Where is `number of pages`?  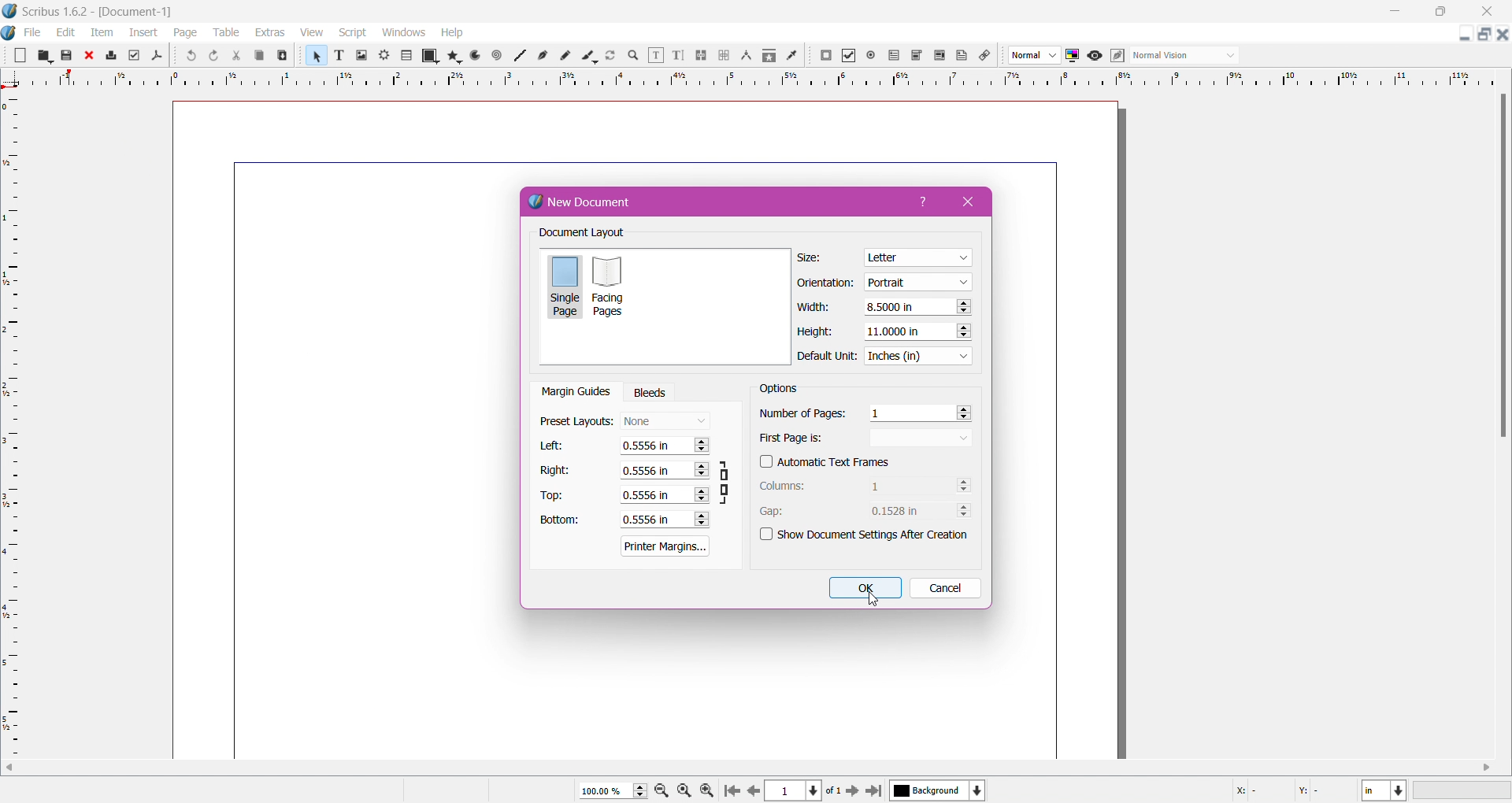 number of pages is located at coordinates (801, 413).